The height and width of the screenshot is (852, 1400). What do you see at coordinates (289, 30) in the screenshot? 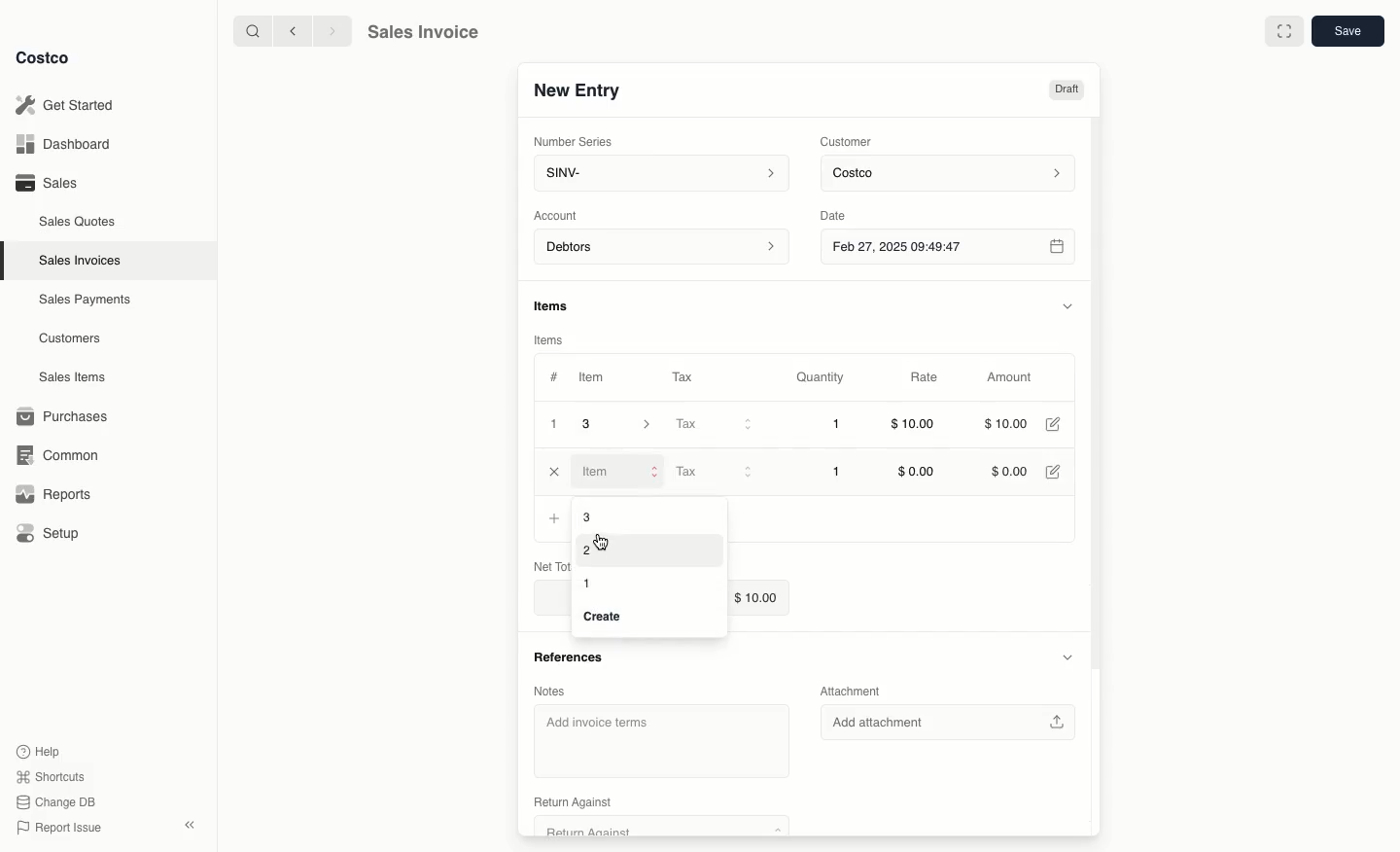
I see `backward` at bounding box center [289, 30].